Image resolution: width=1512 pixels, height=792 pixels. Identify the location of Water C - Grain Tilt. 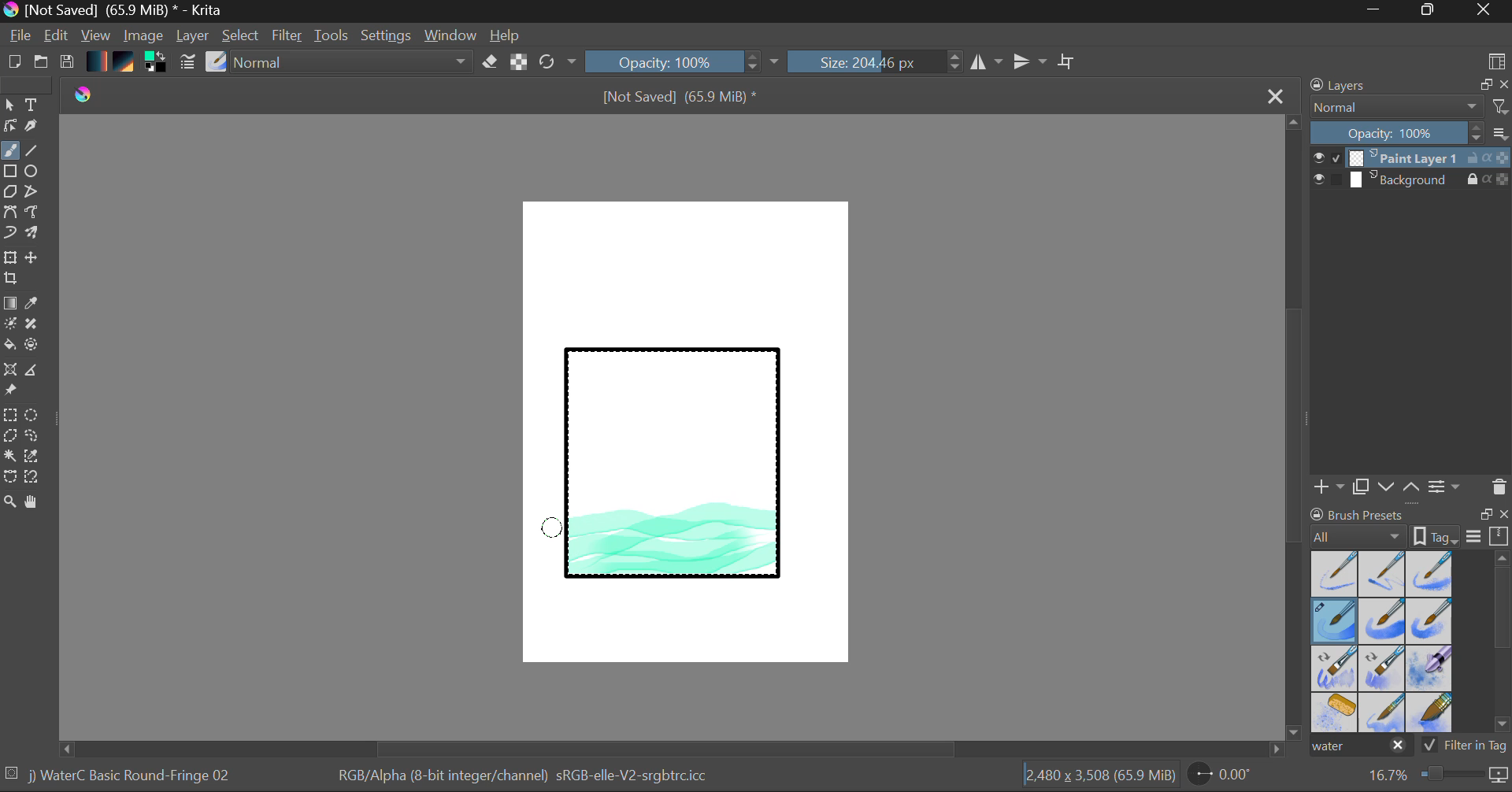
(1336, 668).